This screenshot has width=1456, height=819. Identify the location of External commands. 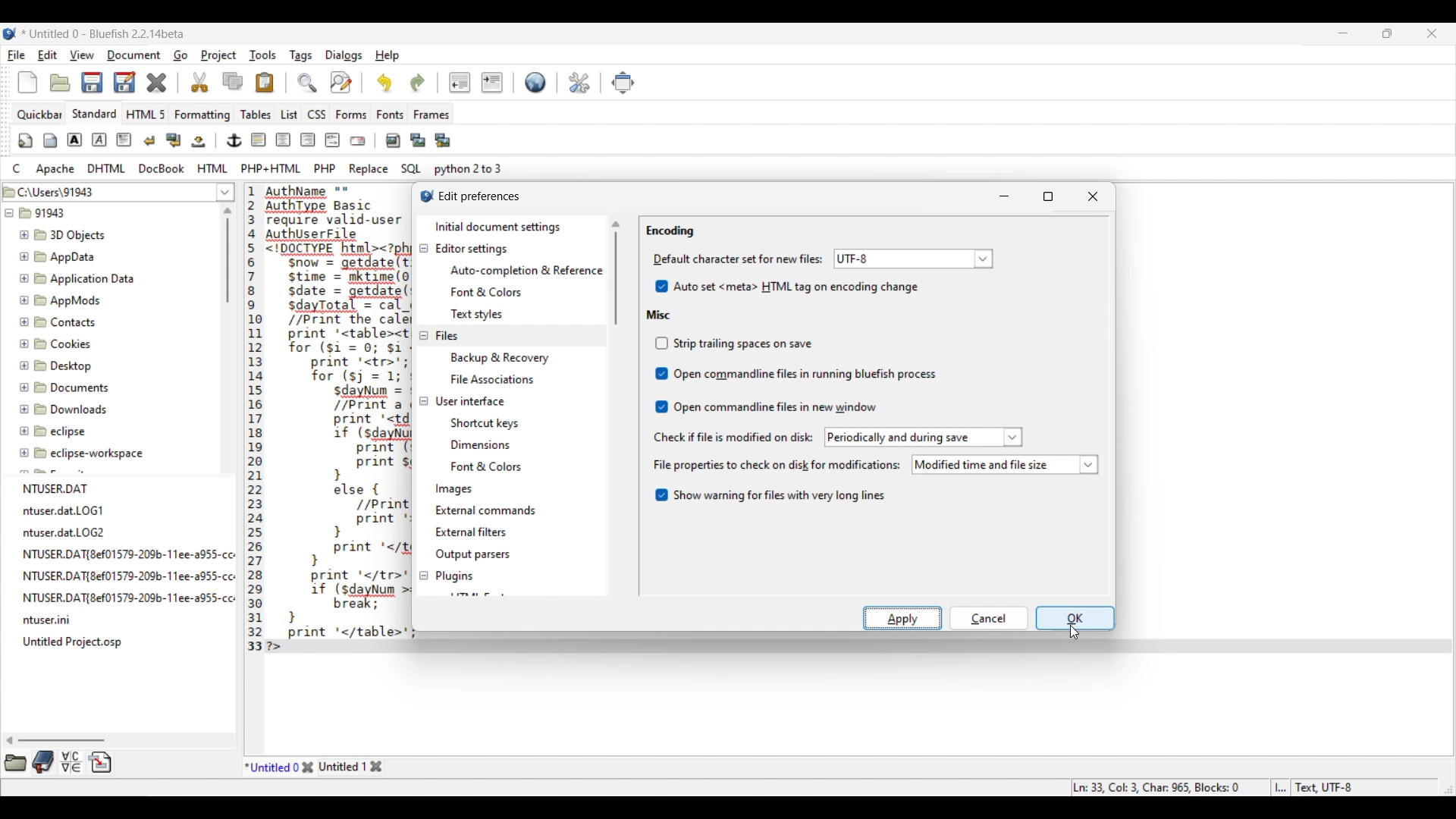
(487, 510).